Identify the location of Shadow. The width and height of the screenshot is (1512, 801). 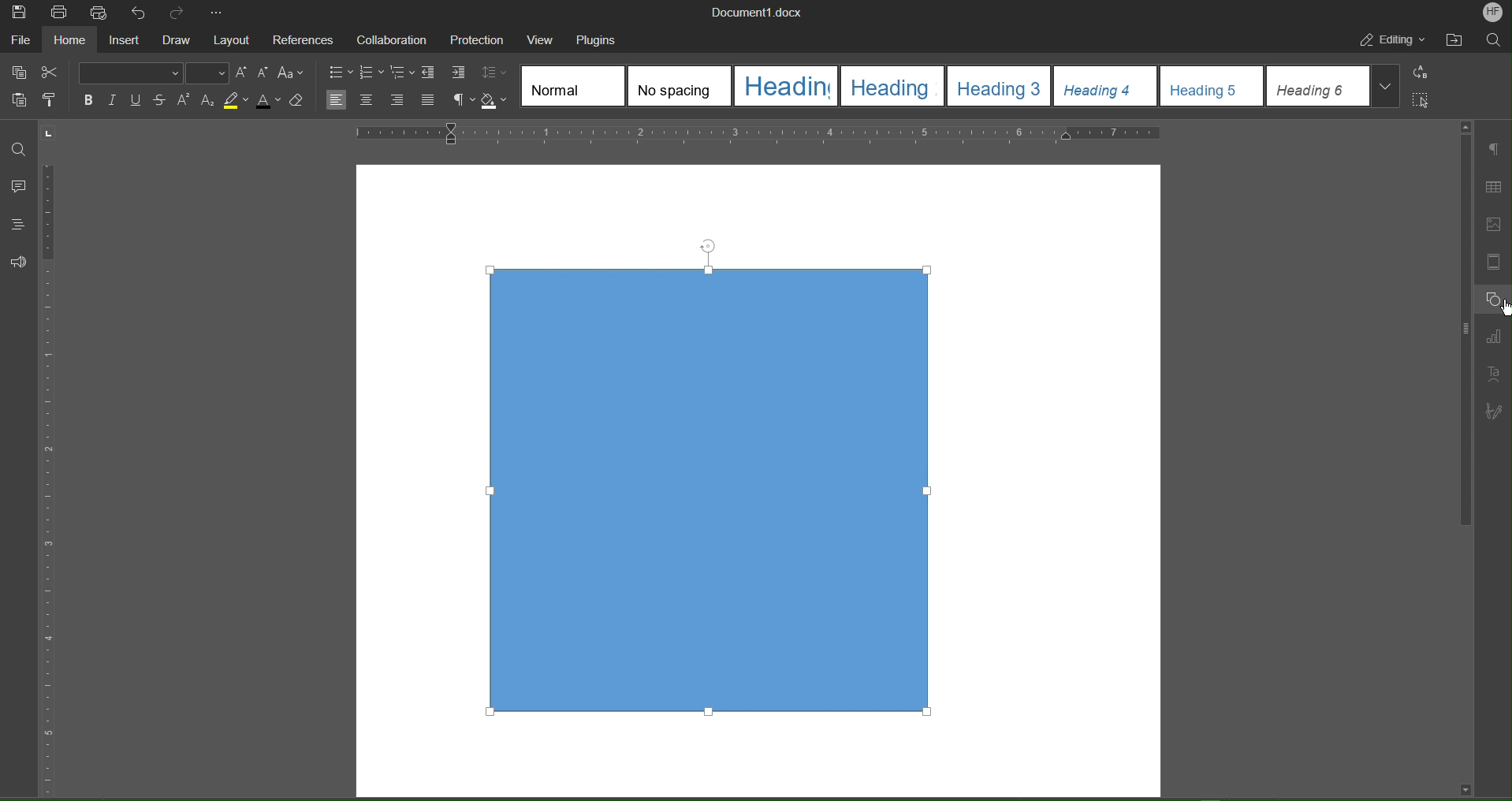
(497, 102).